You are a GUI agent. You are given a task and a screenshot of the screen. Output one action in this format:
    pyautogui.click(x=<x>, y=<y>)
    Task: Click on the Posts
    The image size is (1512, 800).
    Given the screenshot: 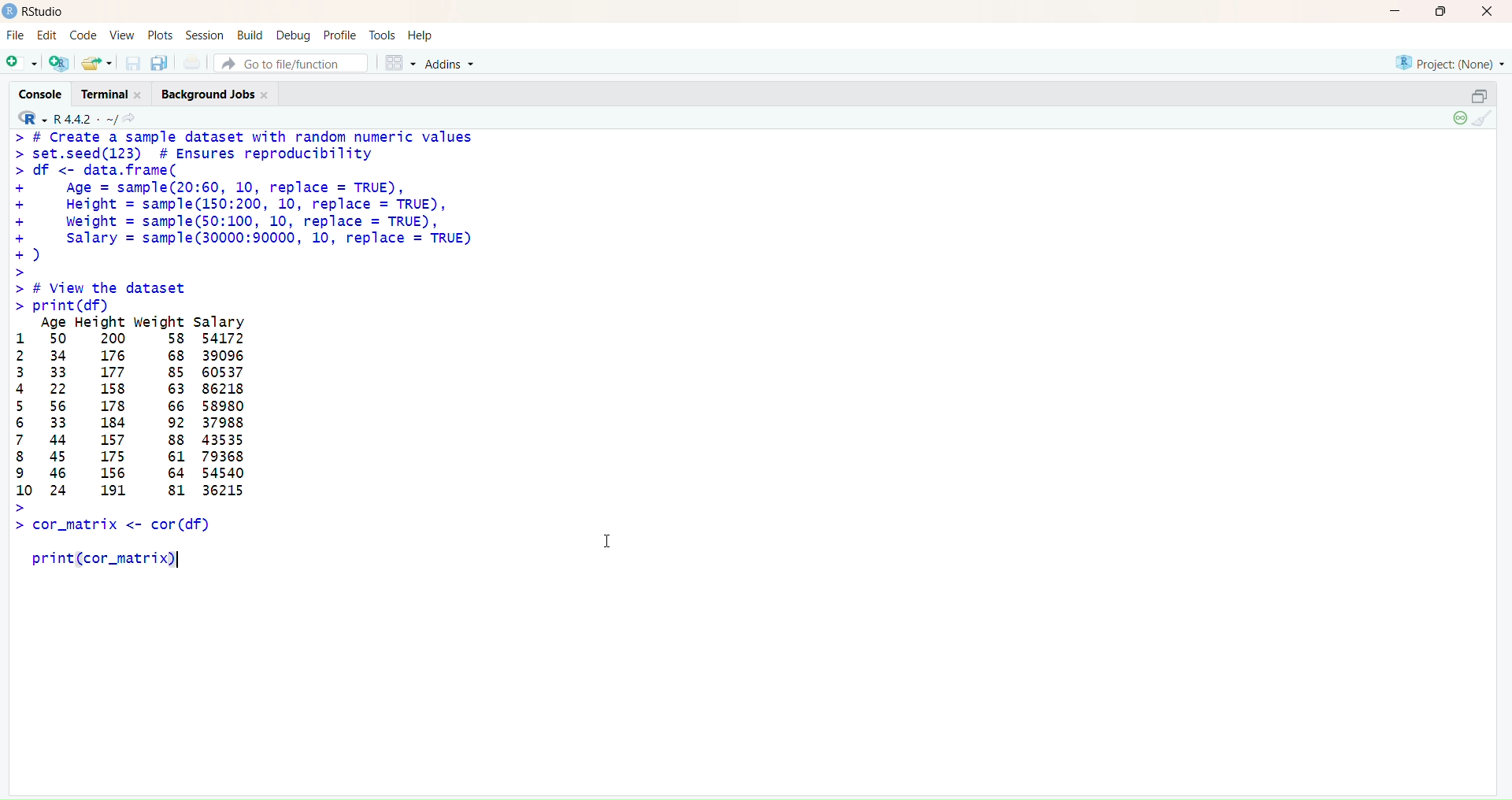 What is the action you would take?
    pyautogui.click(x=157, y=35)
    